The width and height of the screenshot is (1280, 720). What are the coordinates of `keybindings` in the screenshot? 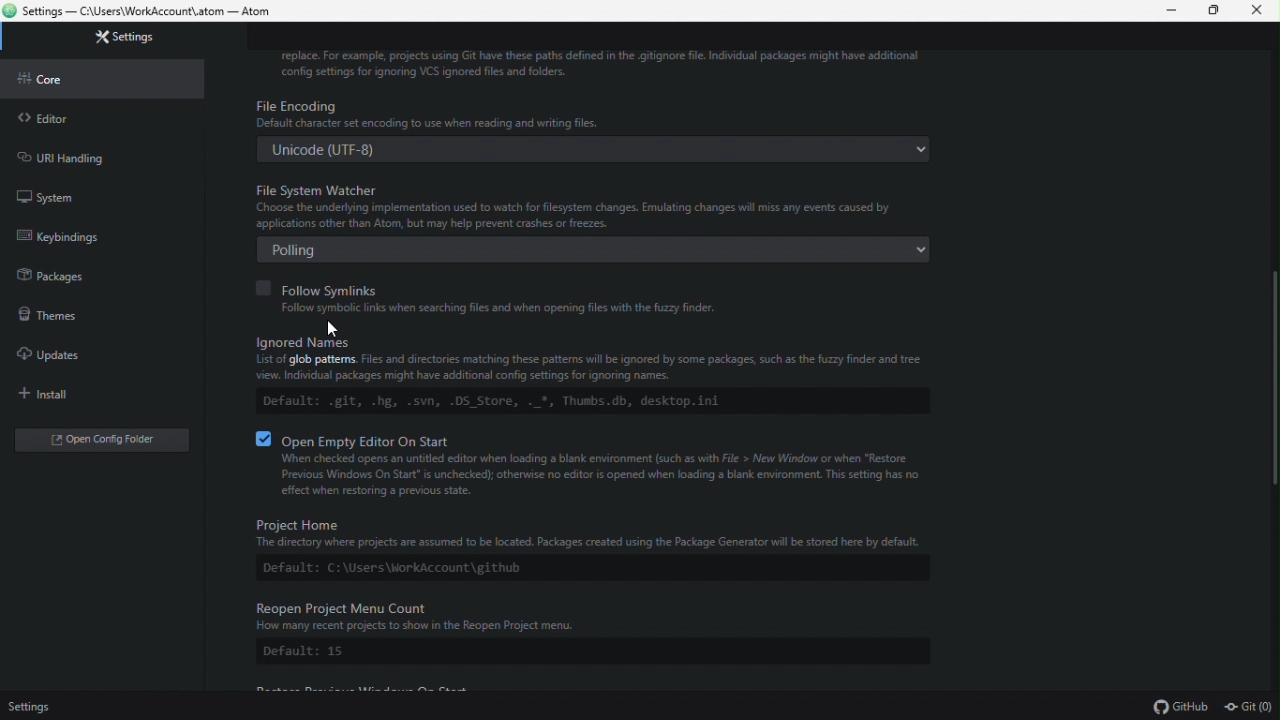 It's located at (110, 240).